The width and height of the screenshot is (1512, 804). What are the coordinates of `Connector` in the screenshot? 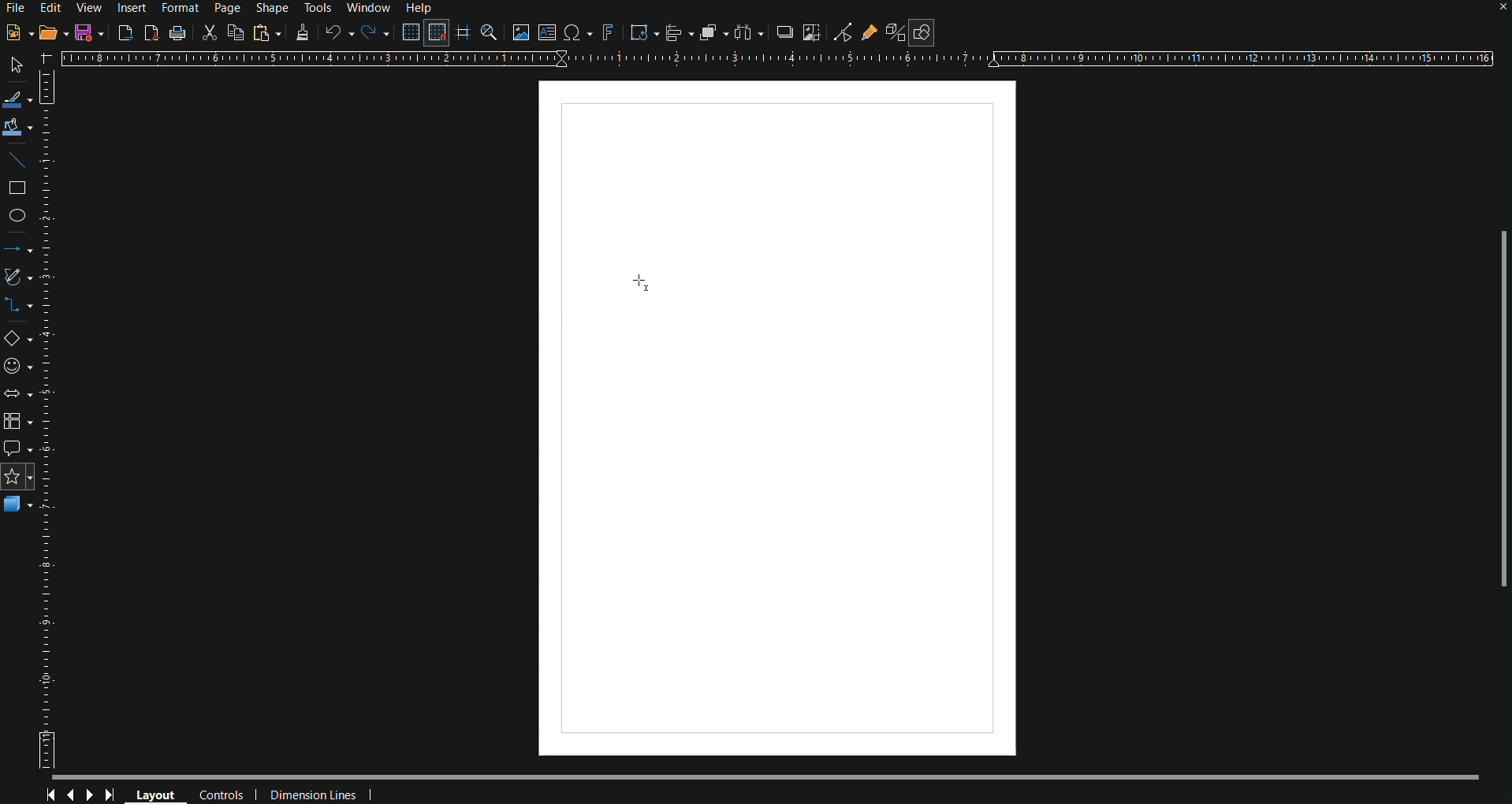 It's located at (20, 311).